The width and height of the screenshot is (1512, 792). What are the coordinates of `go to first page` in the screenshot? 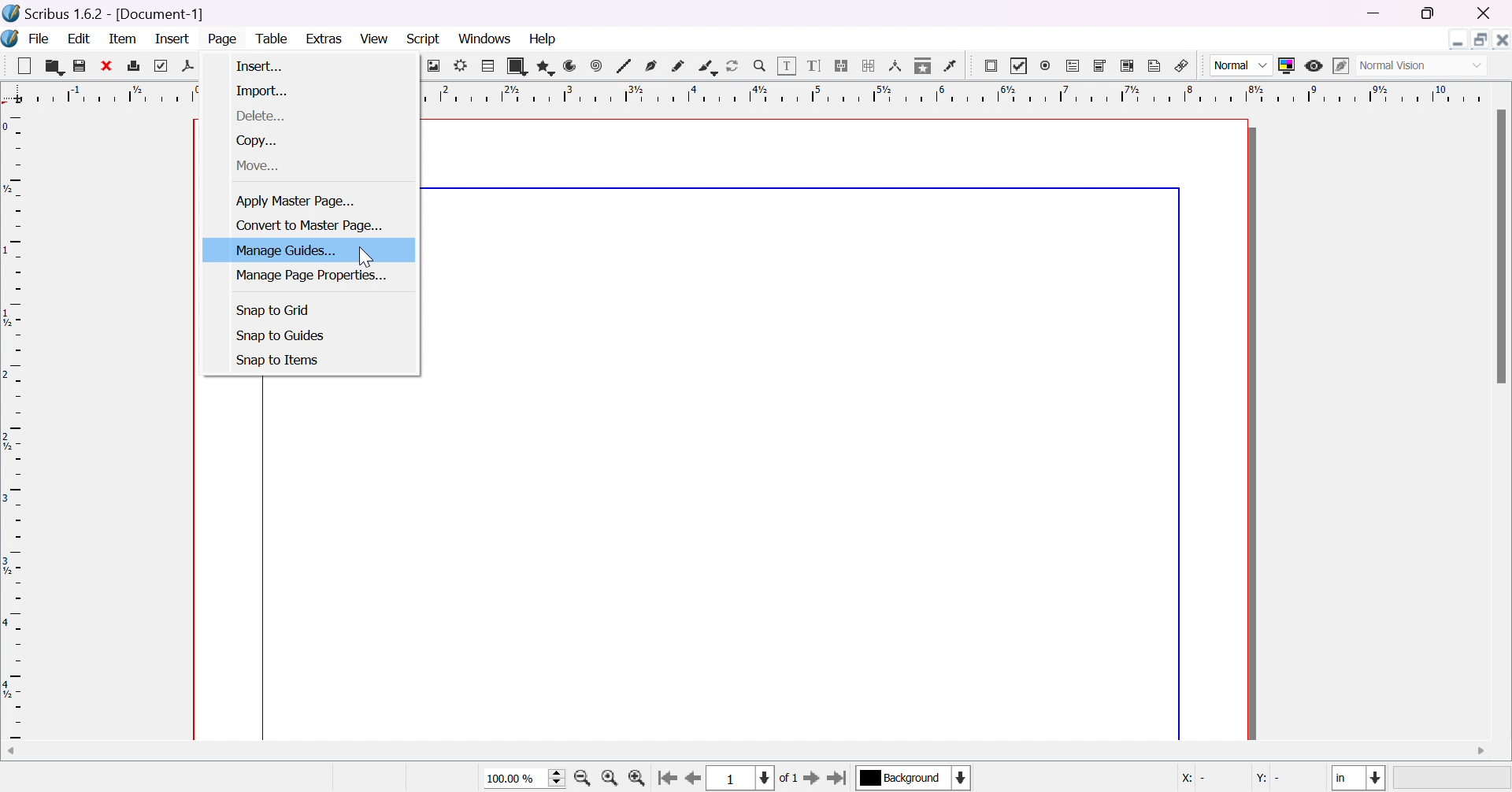 It's located at (666, 776).